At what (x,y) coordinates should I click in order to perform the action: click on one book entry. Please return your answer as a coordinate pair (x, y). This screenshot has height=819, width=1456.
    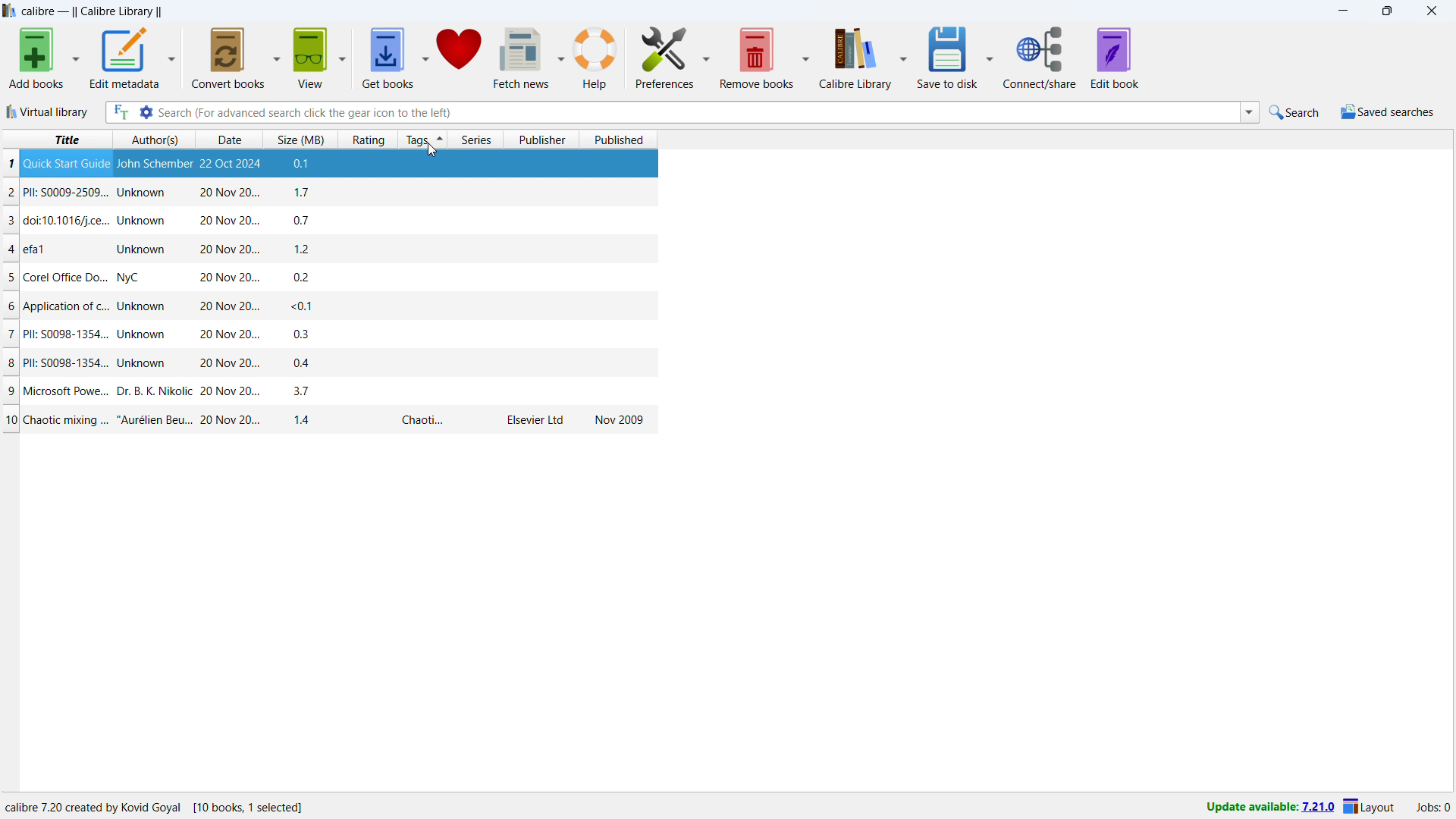
    Looking at the image, I should click on (327, 193).